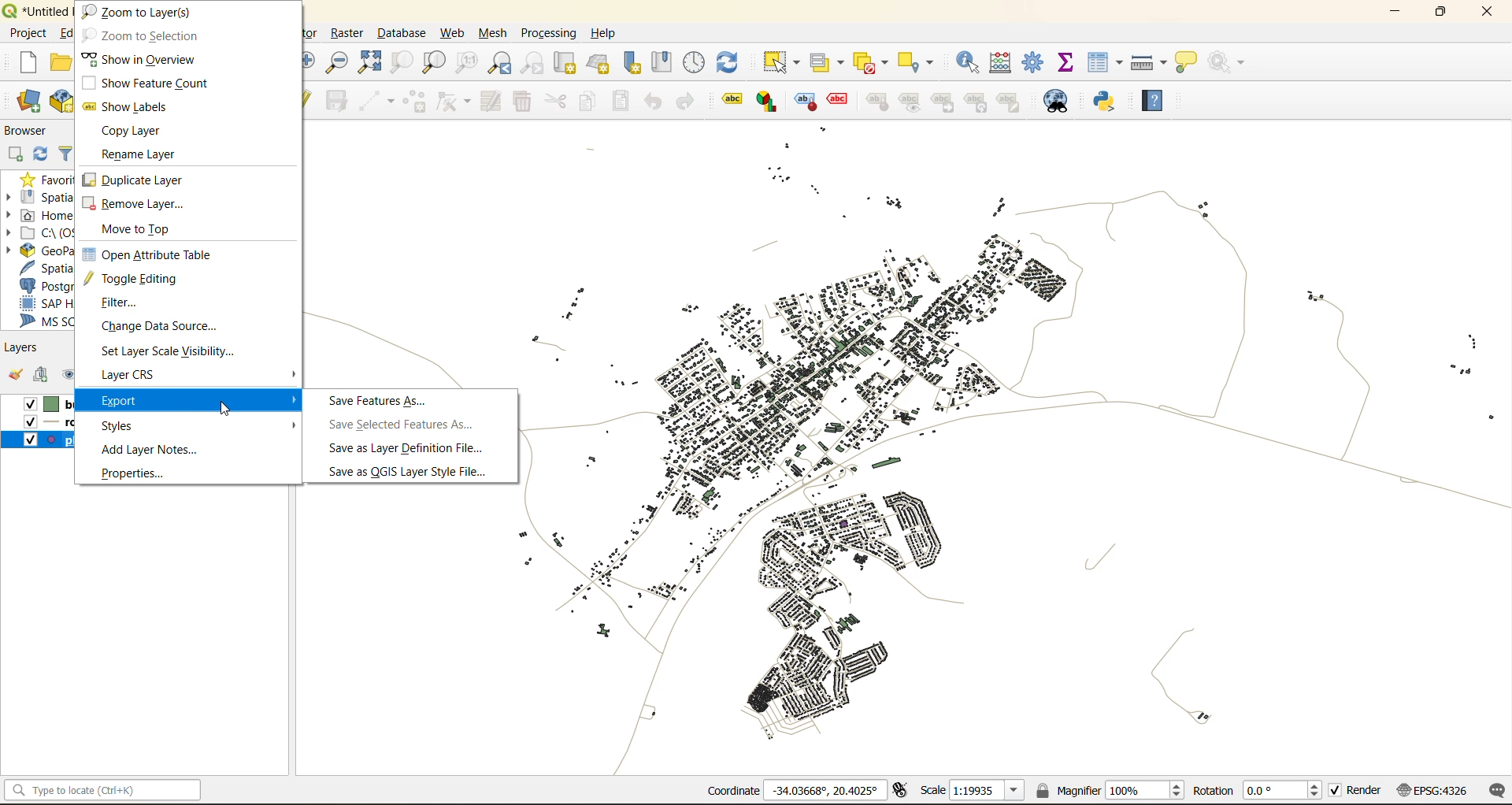 The height and width of the screenshot is (805, 1512). What do you see at coordinates (973, 792) in the screenshot?
I see `scale` at bounding box center [973, 792].